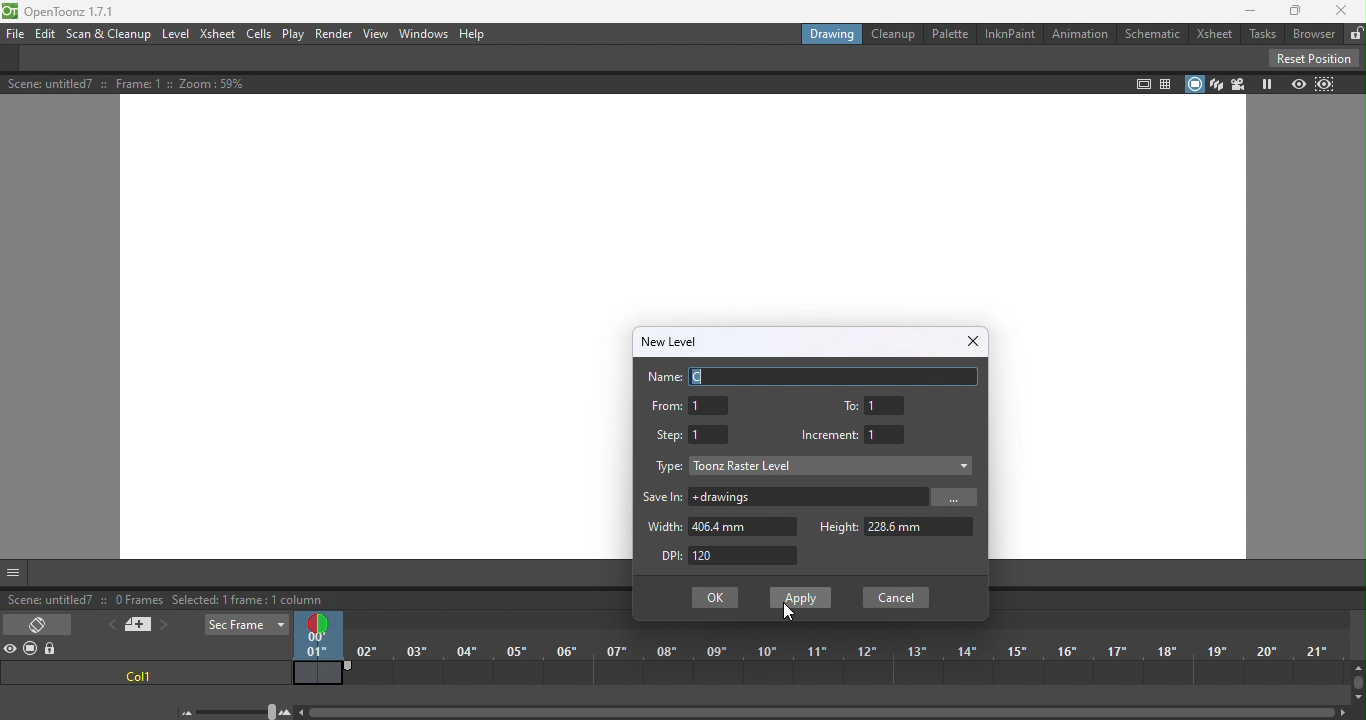 This screenshot has width=1366, height=720. Describe the element at coordinates (1152, 34) in the screenshot. I see `Schematic` at that location.